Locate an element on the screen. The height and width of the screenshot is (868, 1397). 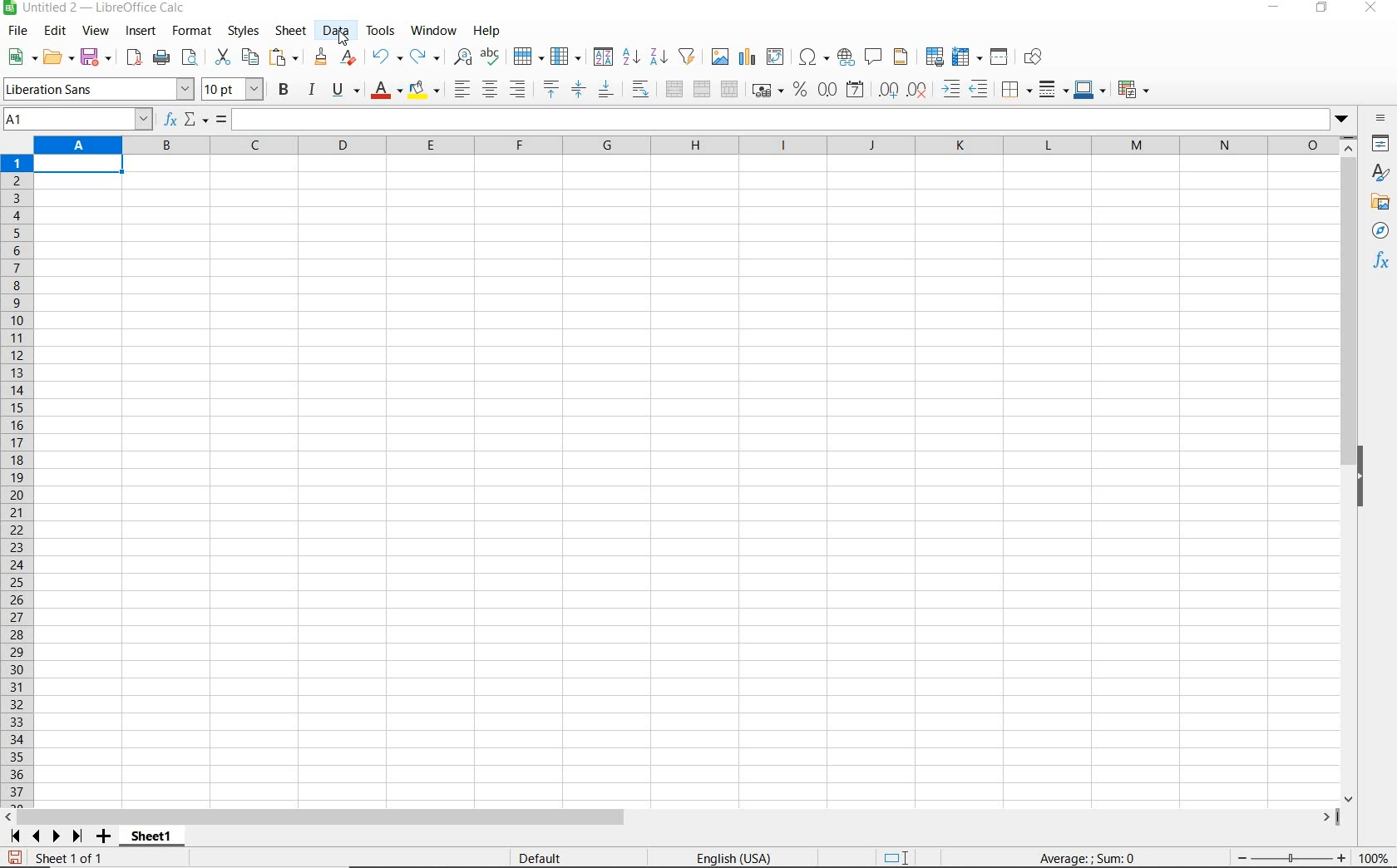
standard selection is located at coordinates (897, 859).